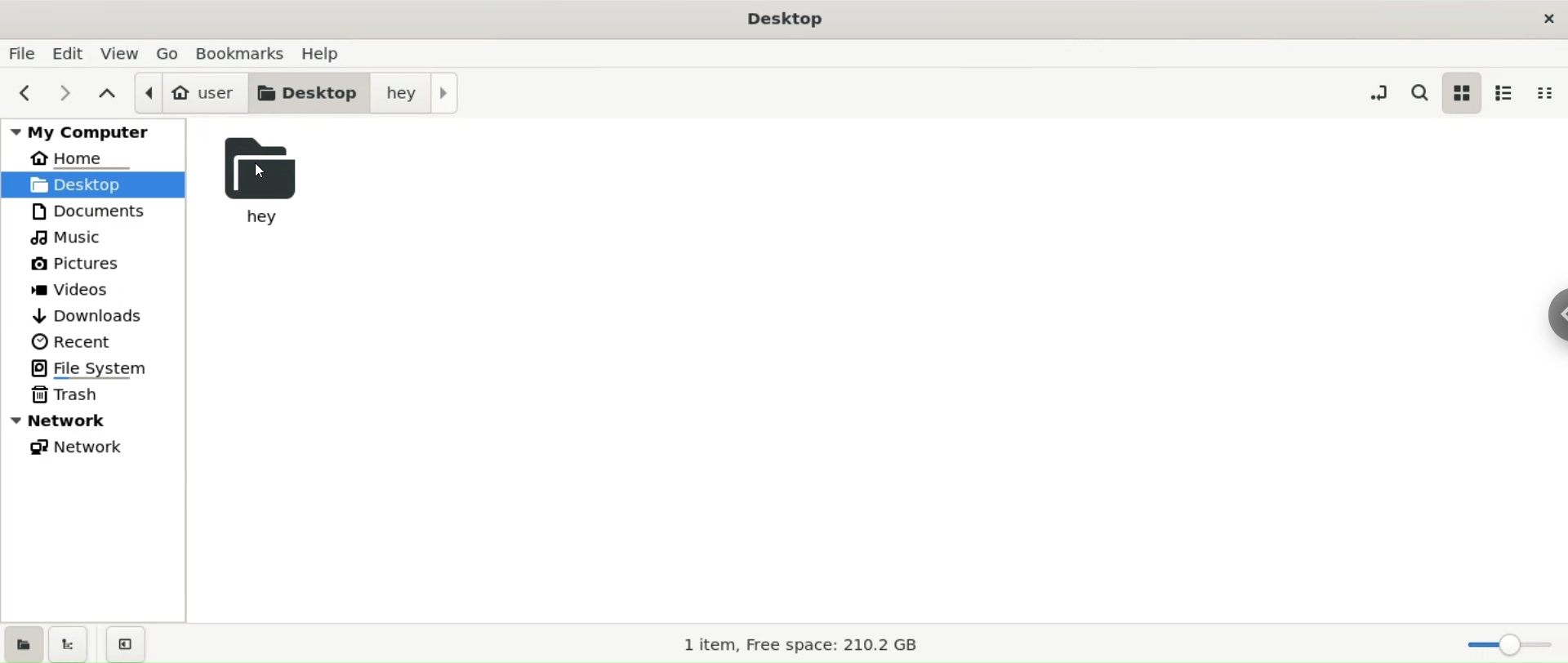 This screenshot has height=663, width=1568. I want to click on music, so click(96, 239).